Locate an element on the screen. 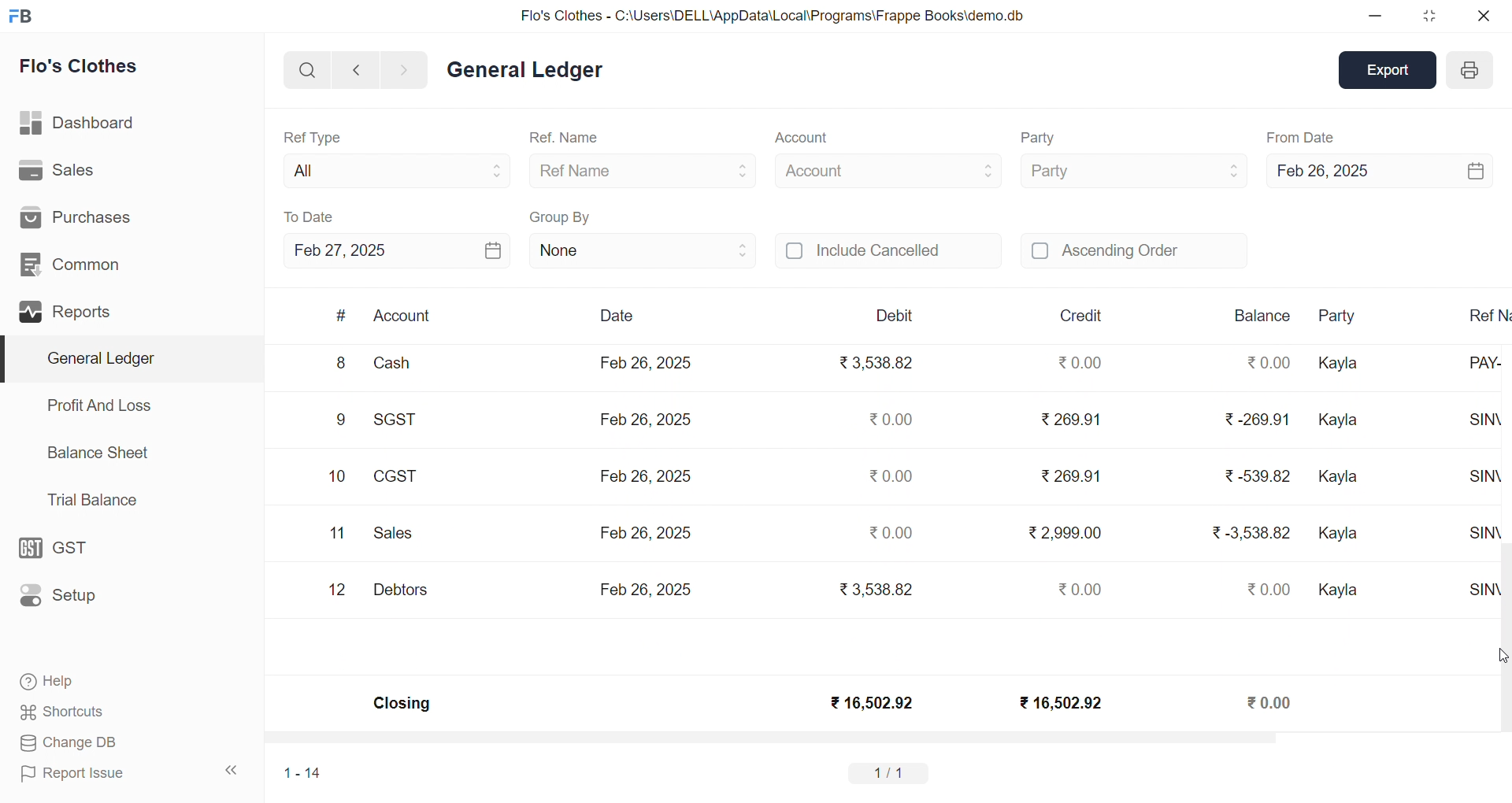 The height and width of the screenshot is (803, 1512). Ref Type is located at coordinates (312, 136).